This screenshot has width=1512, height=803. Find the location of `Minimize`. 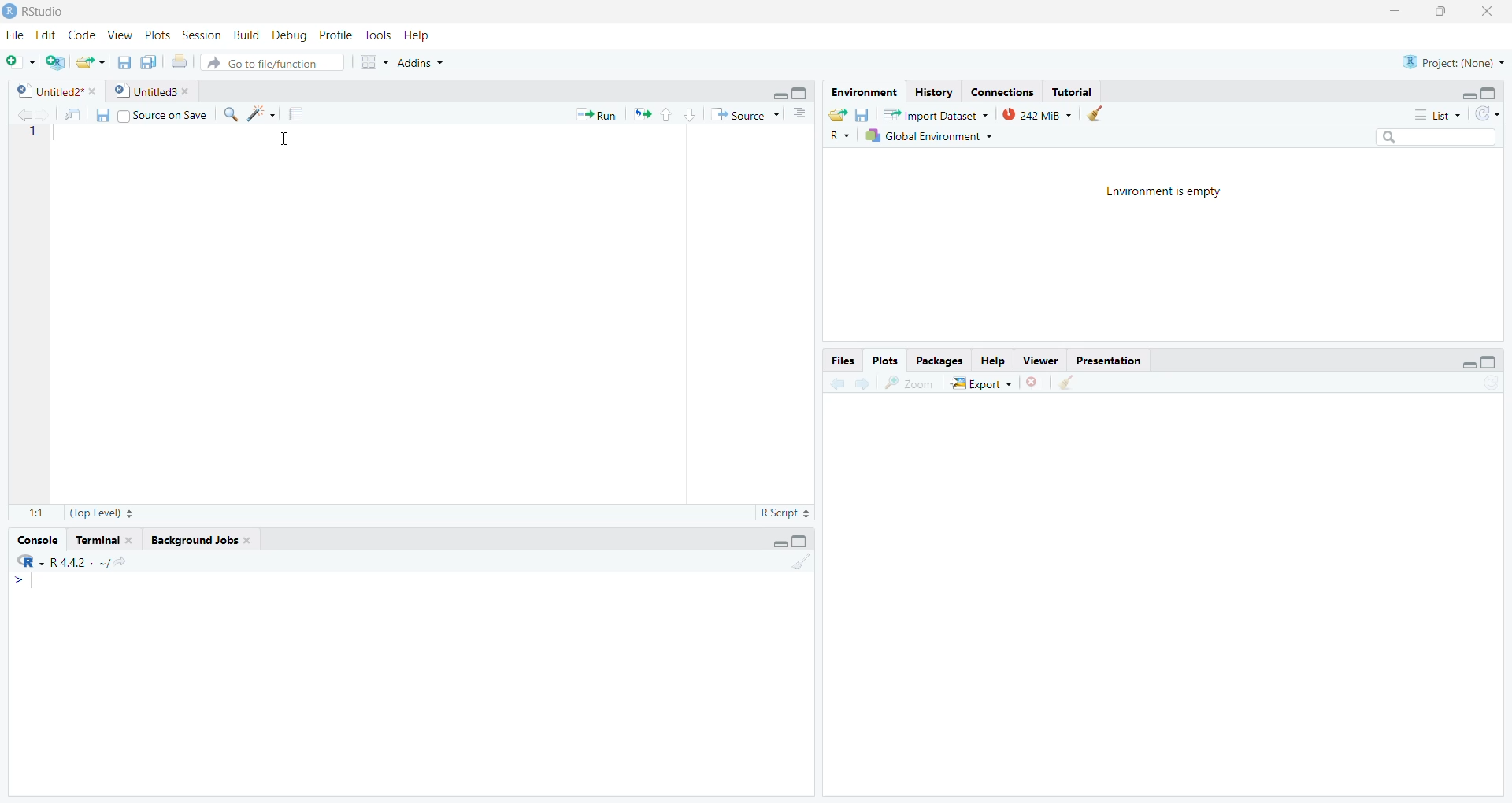

Minimize is located at coordinates (1395, 11).